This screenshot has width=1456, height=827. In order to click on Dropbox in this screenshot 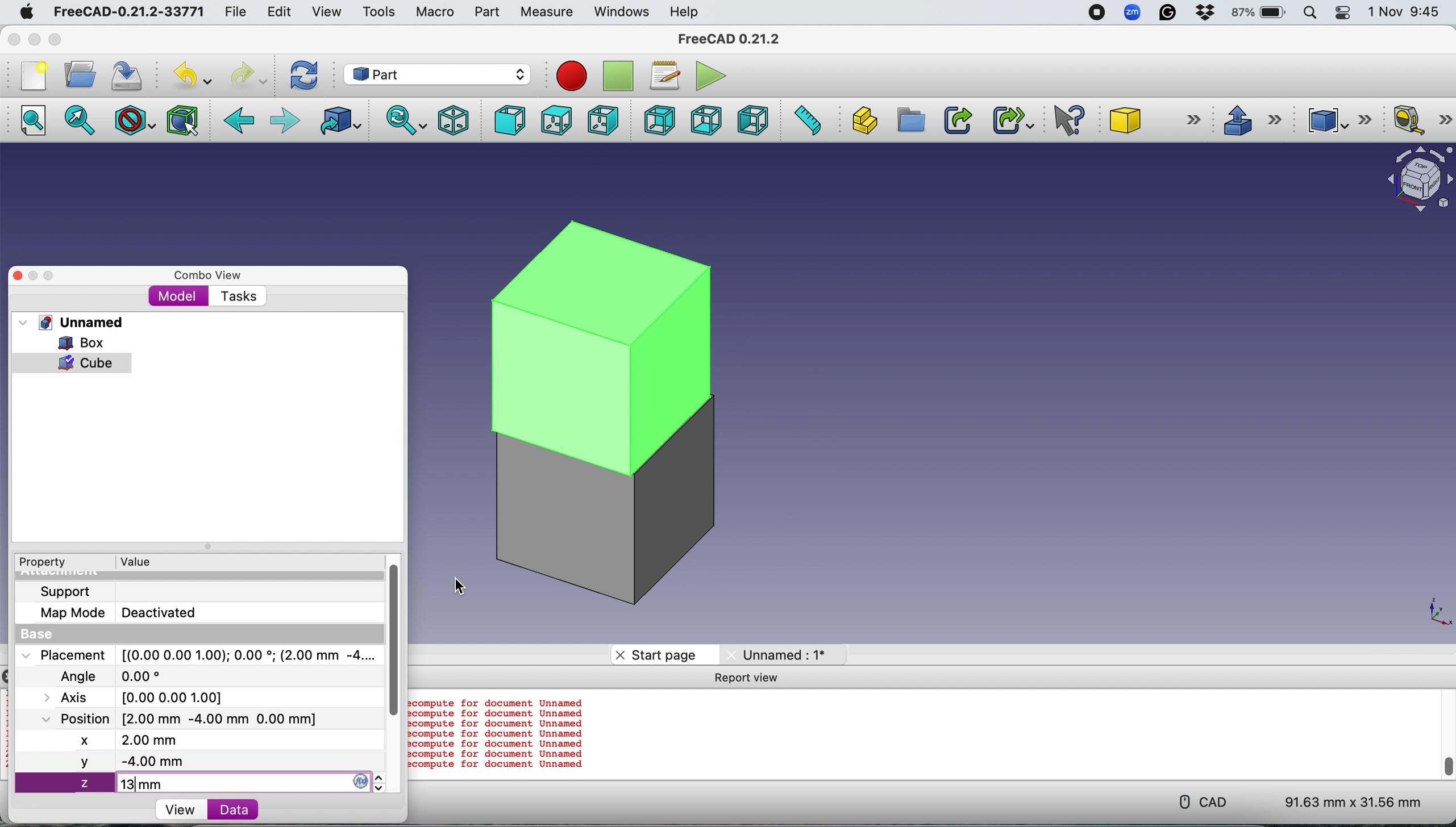, I will do `click(1206, 14)`.